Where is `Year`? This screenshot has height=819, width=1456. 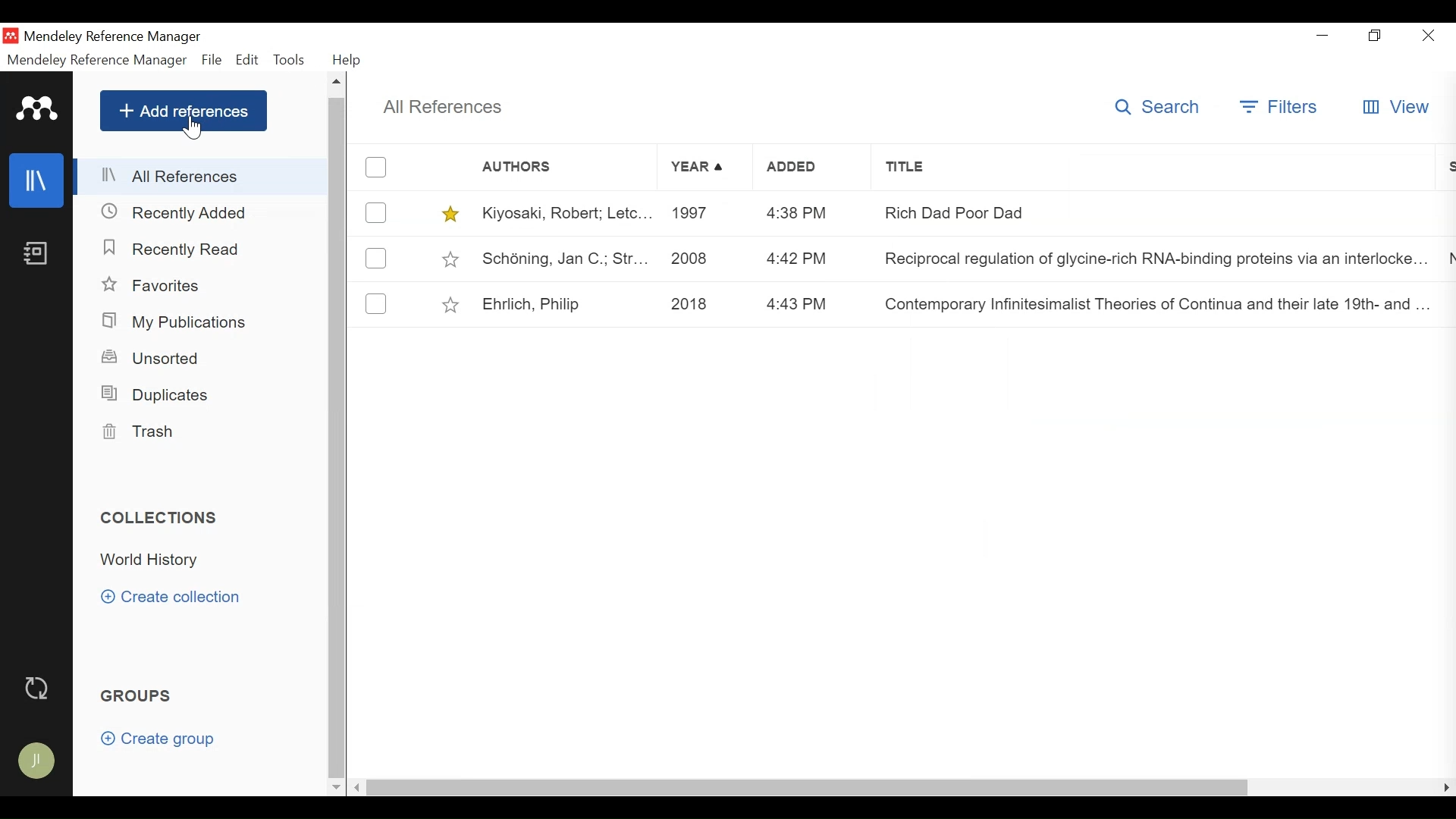
Year is located at coordinates (704, 168).